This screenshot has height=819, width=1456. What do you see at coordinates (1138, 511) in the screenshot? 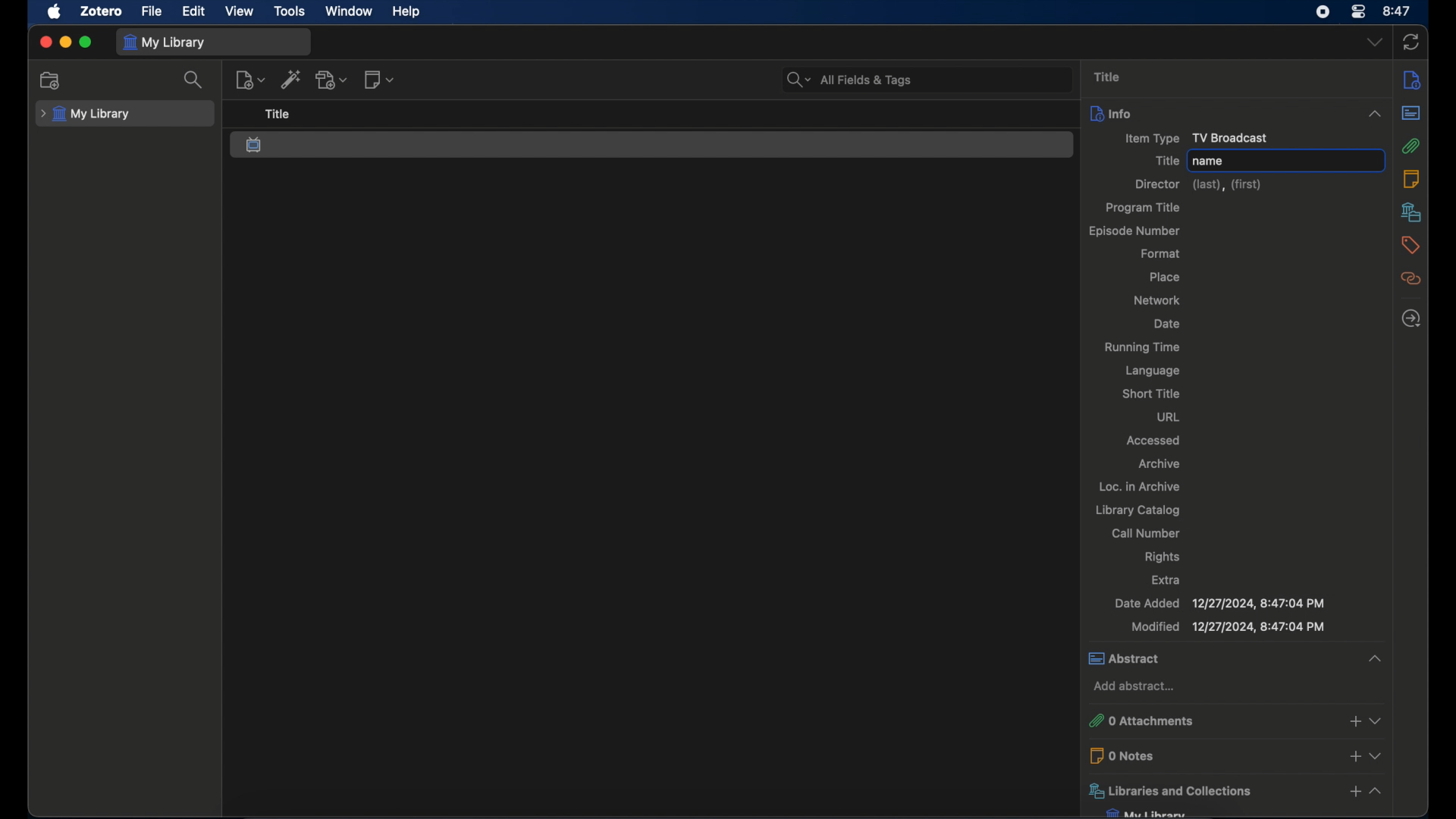
I see `library catalog` at bounding box center [1138, 511].